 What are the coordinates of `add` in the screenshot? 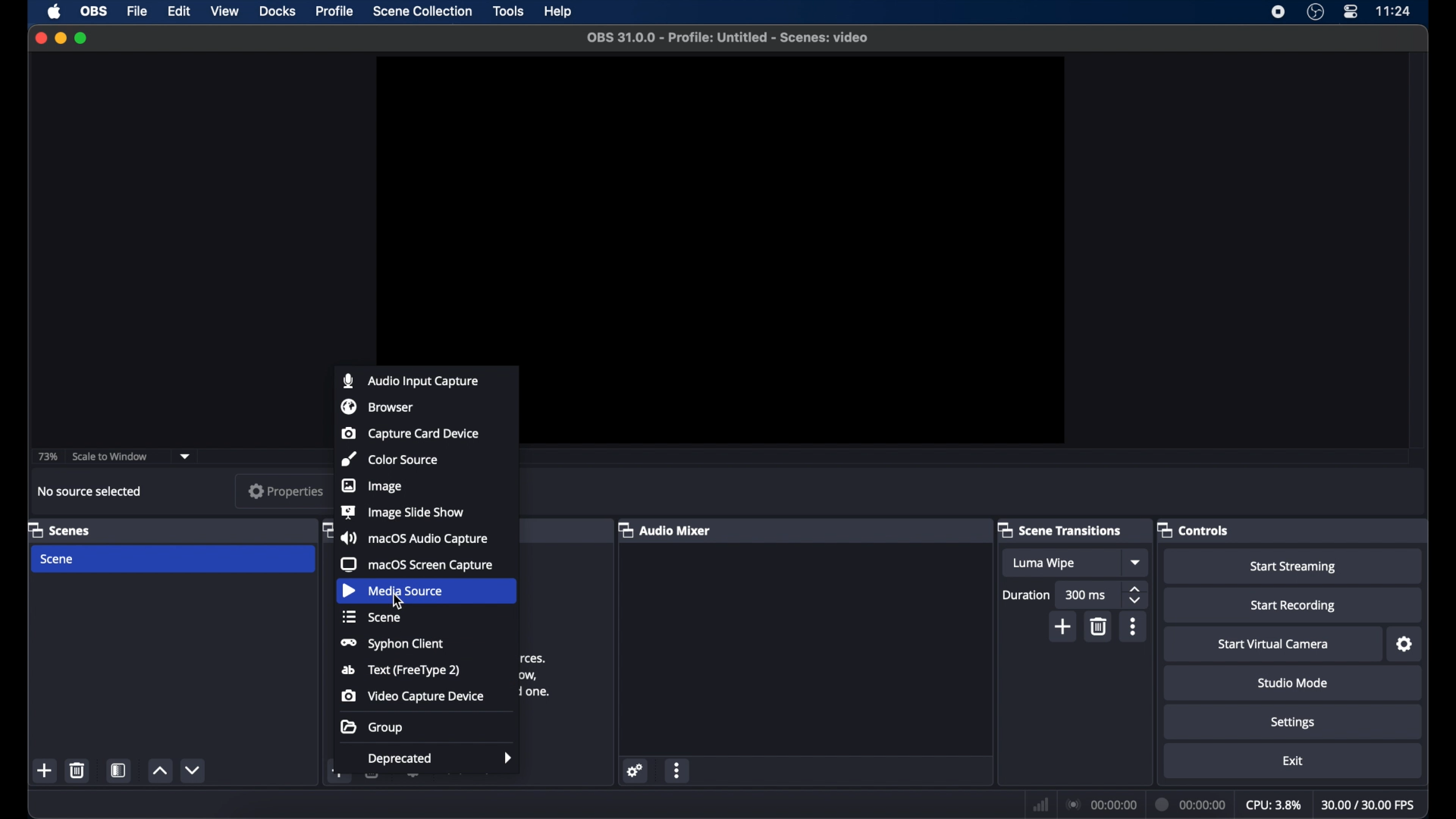 It's located at (337, 770).